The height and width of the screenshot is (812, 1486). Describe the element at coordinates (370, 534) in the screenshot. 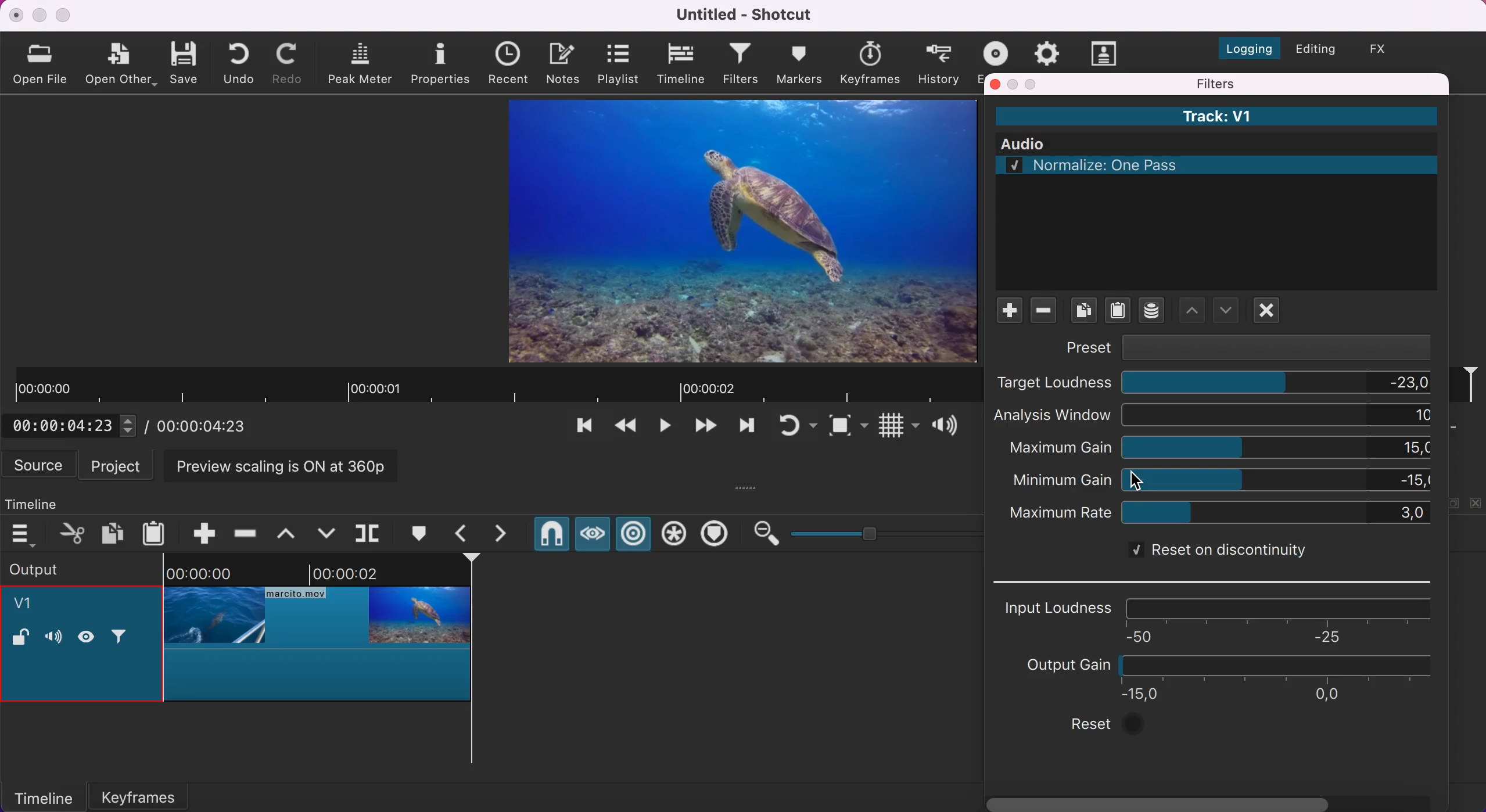

I see `split at playhead` at that location.